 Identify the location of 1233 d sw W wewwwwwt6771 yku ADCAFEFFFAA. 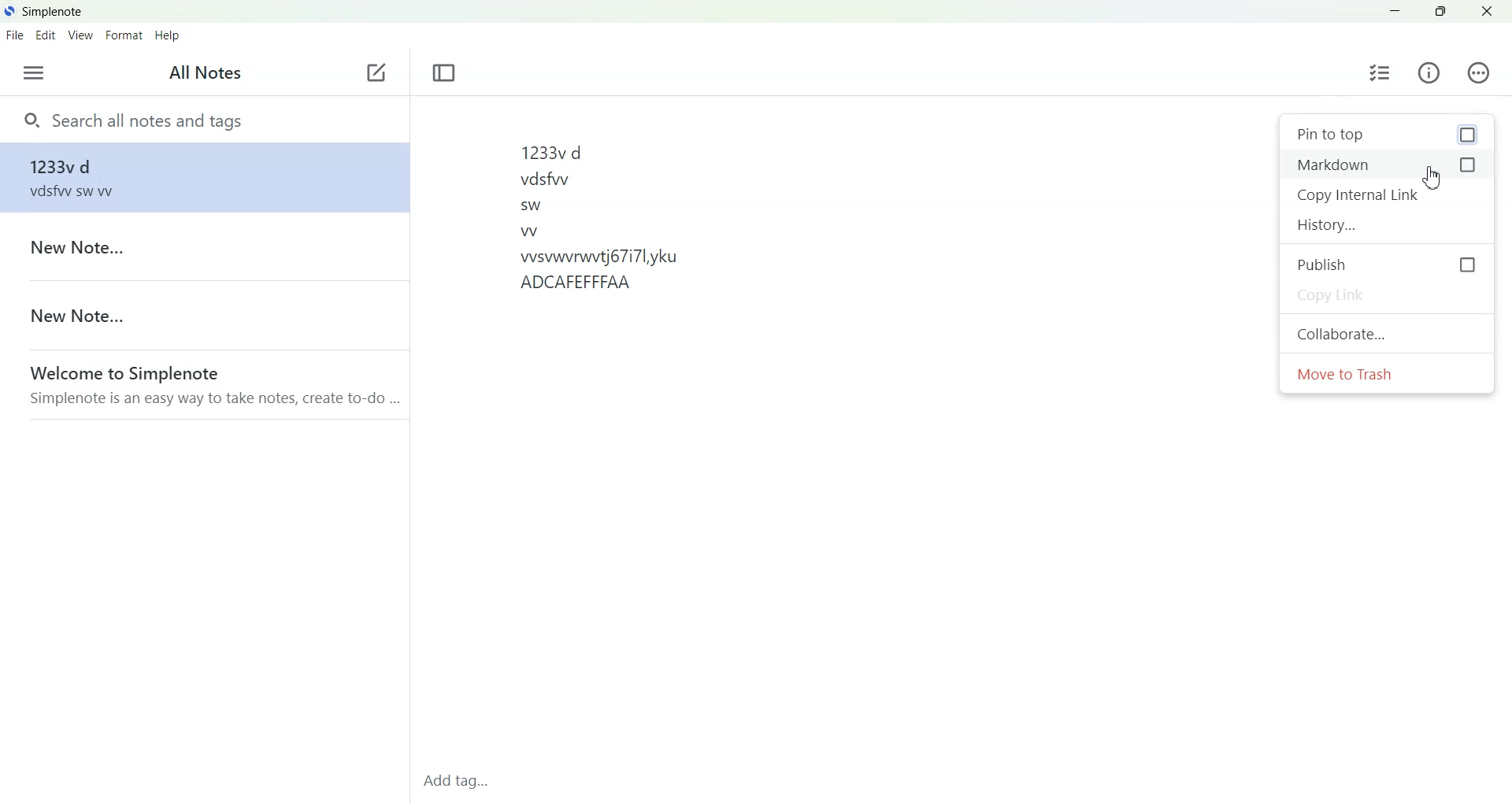
(842, 436).